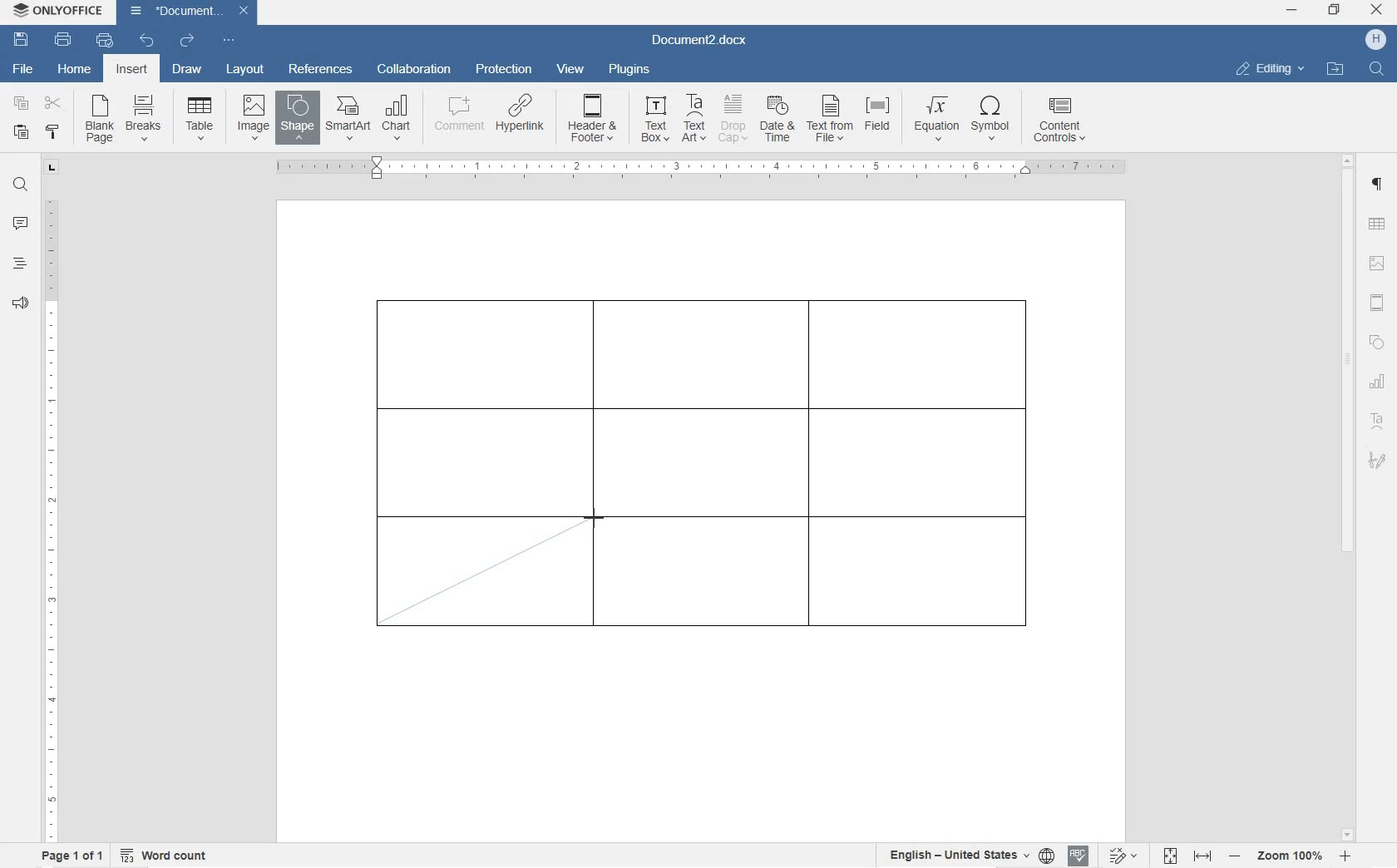 The width and height of the screenshot is (1397, 868). I want to click on INSERT SHAPE, so click(297, 121).